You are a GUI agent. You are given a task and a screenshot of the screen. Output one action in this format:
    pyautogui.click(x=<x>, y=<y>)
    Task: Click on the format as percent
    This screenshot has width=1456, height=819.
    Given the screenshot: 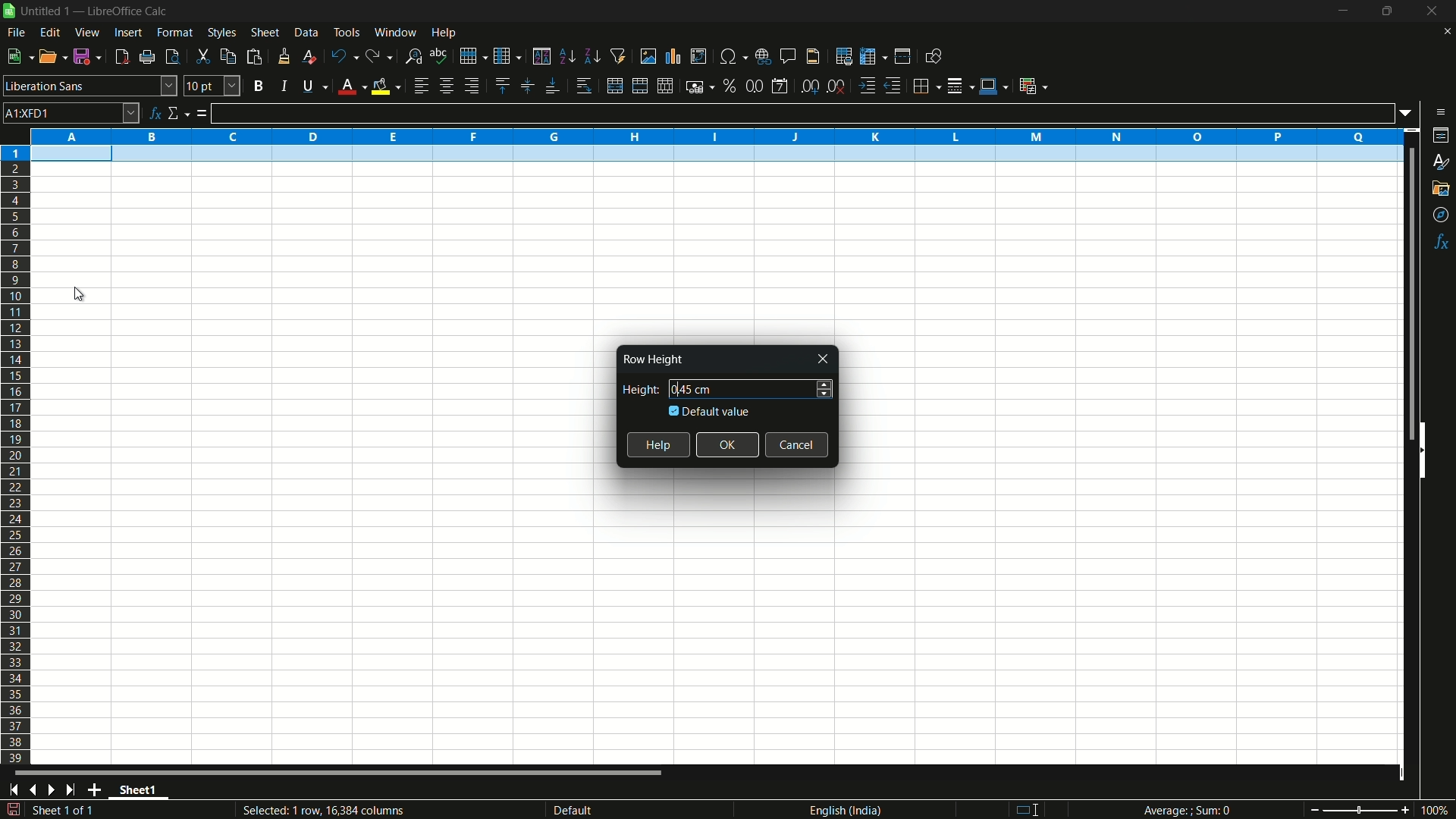 What is the action you would take?
    pyautogui.click(x=730, y=85)
    